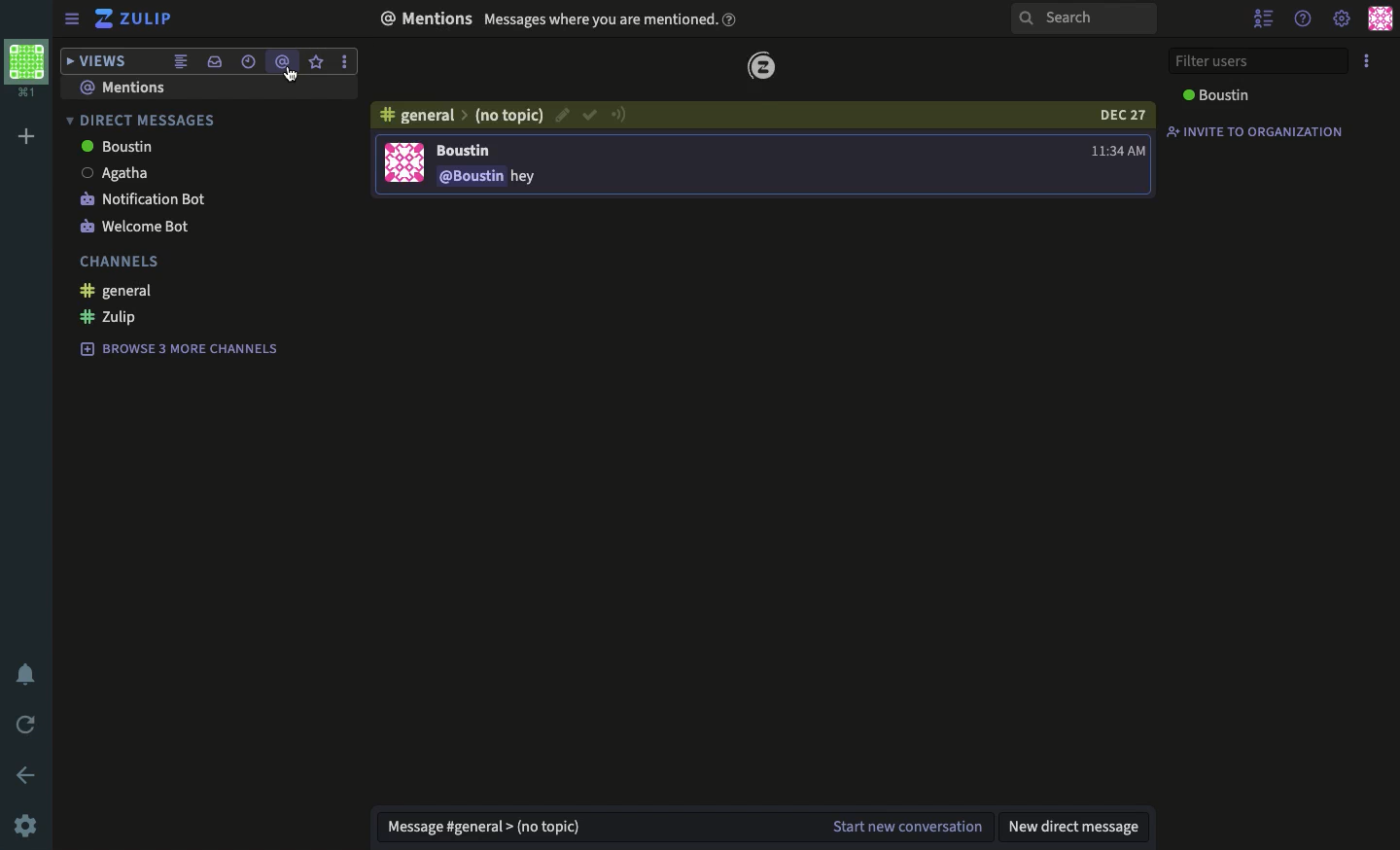 Image resolution: width=1400 pixels, height=850 pixels. What do you see at coordinates (30, 673) in the screenshot?
I see `notification` at bounding box center [30, 673].